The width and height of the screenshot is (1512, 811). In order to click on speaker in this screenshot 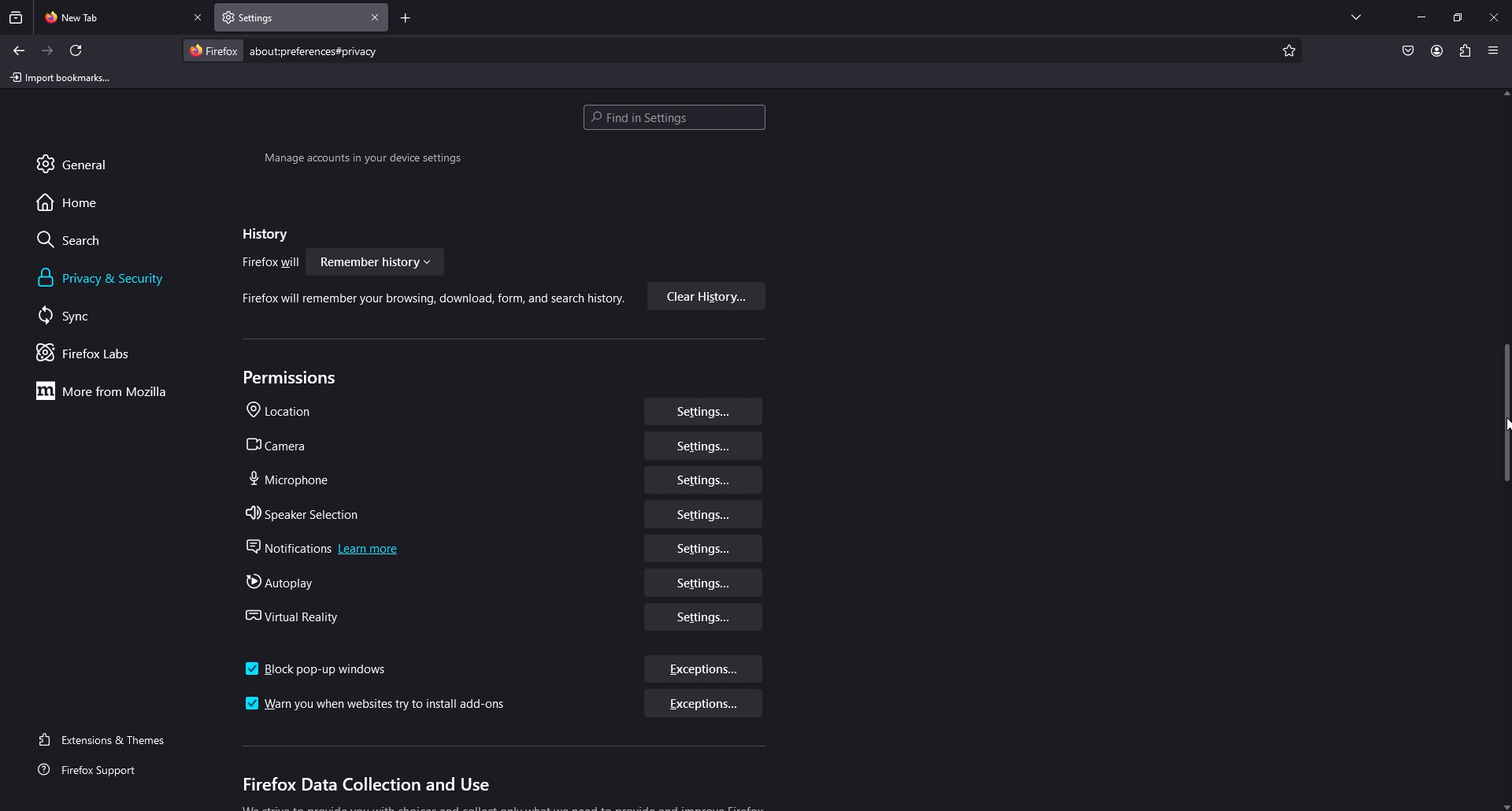, I will do `click(307, 514)`.